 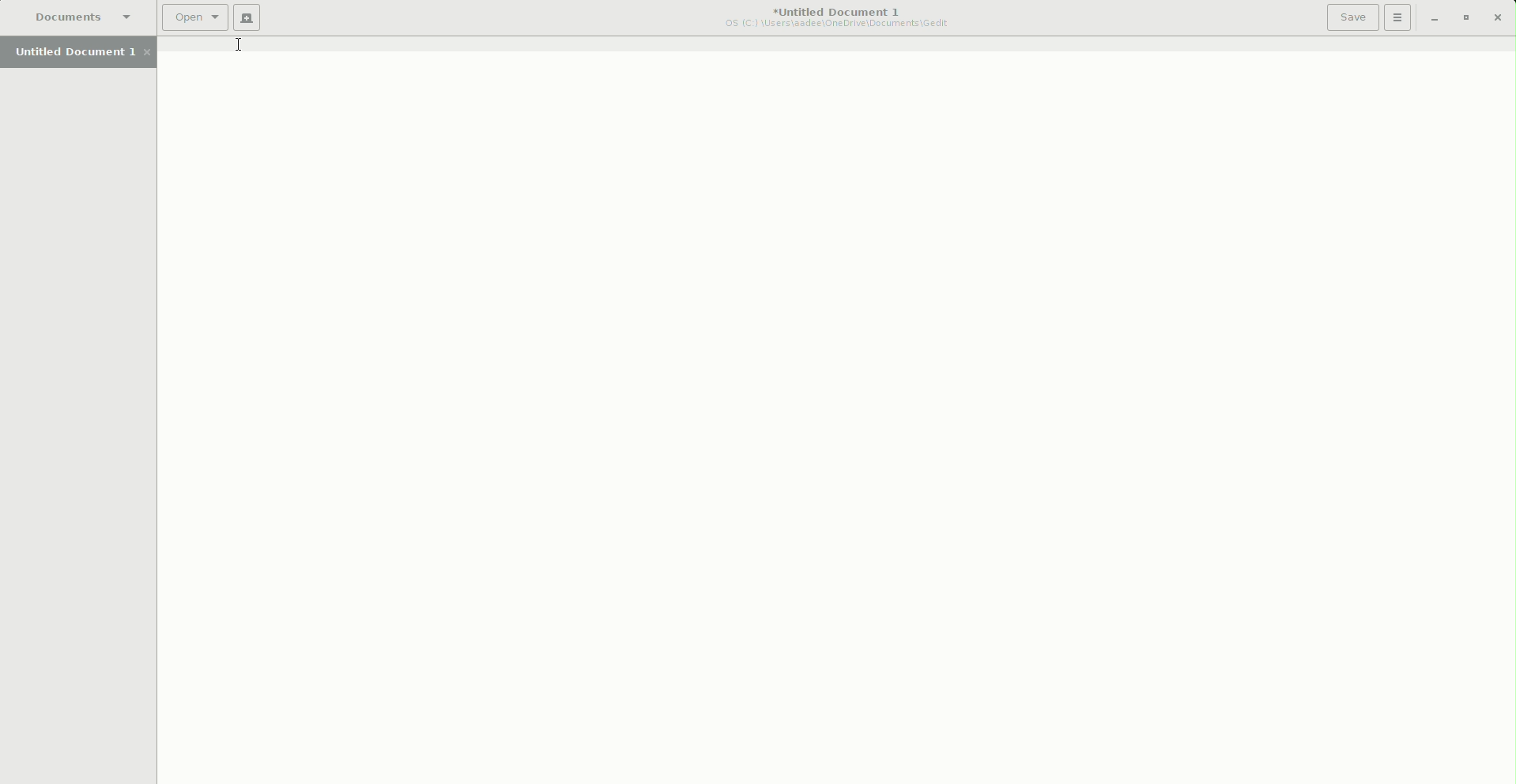 I want to click on Restore, so click(x=1463, y=17).